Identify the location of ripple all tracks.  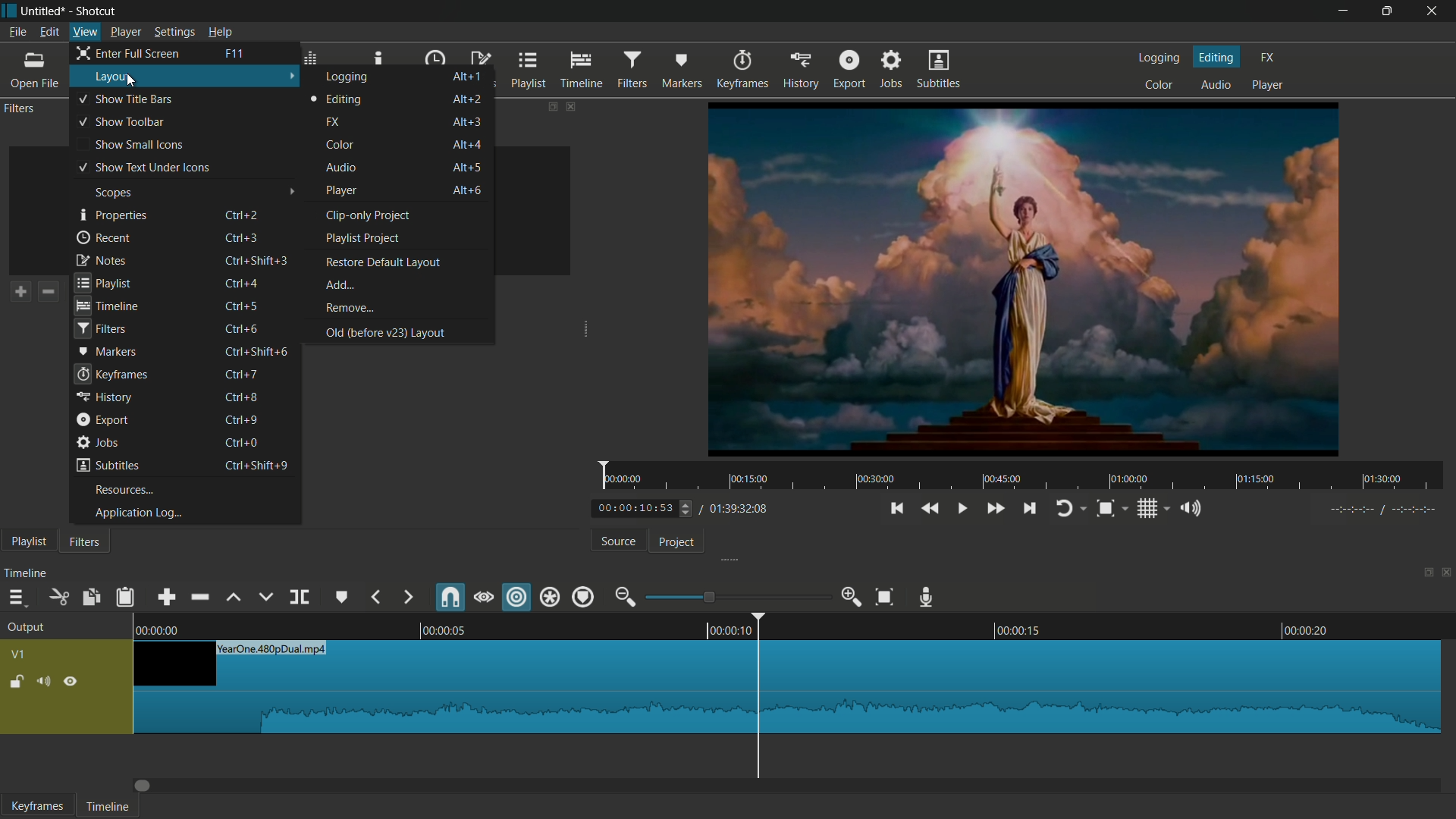
(550, 597).